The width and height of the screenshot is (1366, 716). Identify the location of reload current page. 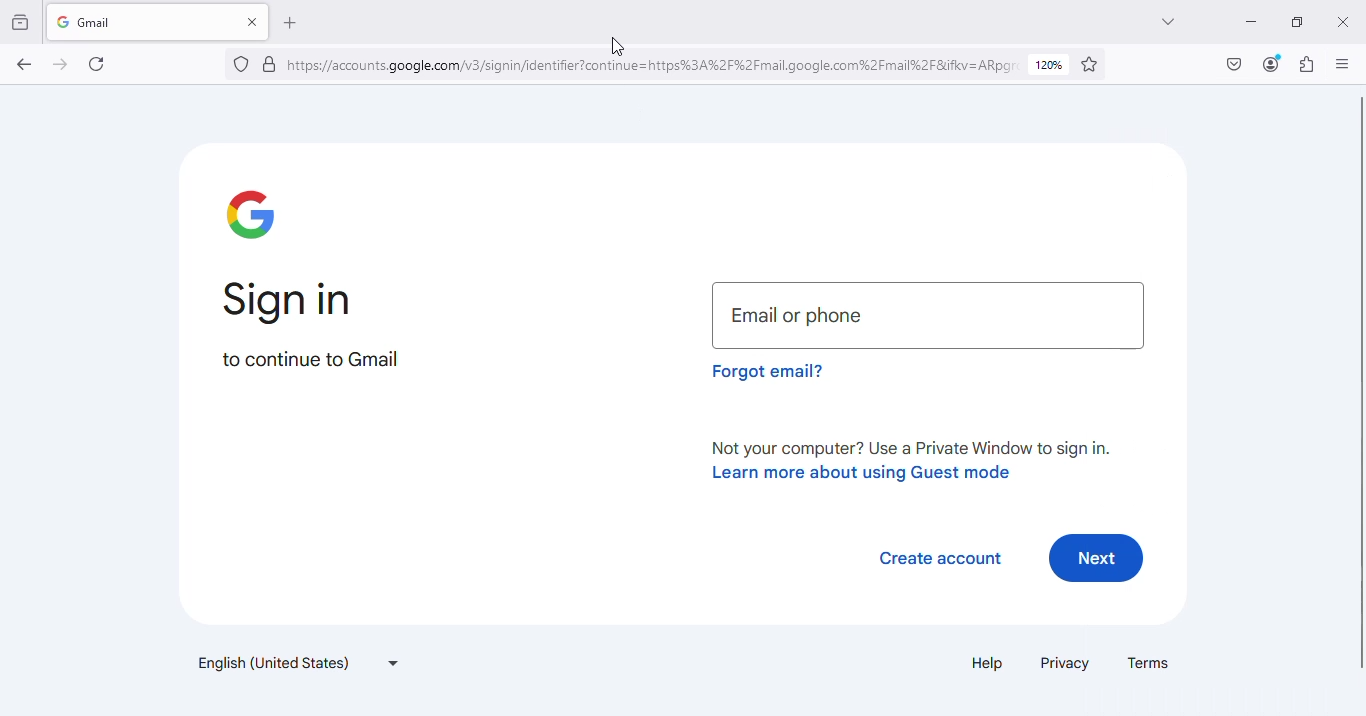
(96, 64).